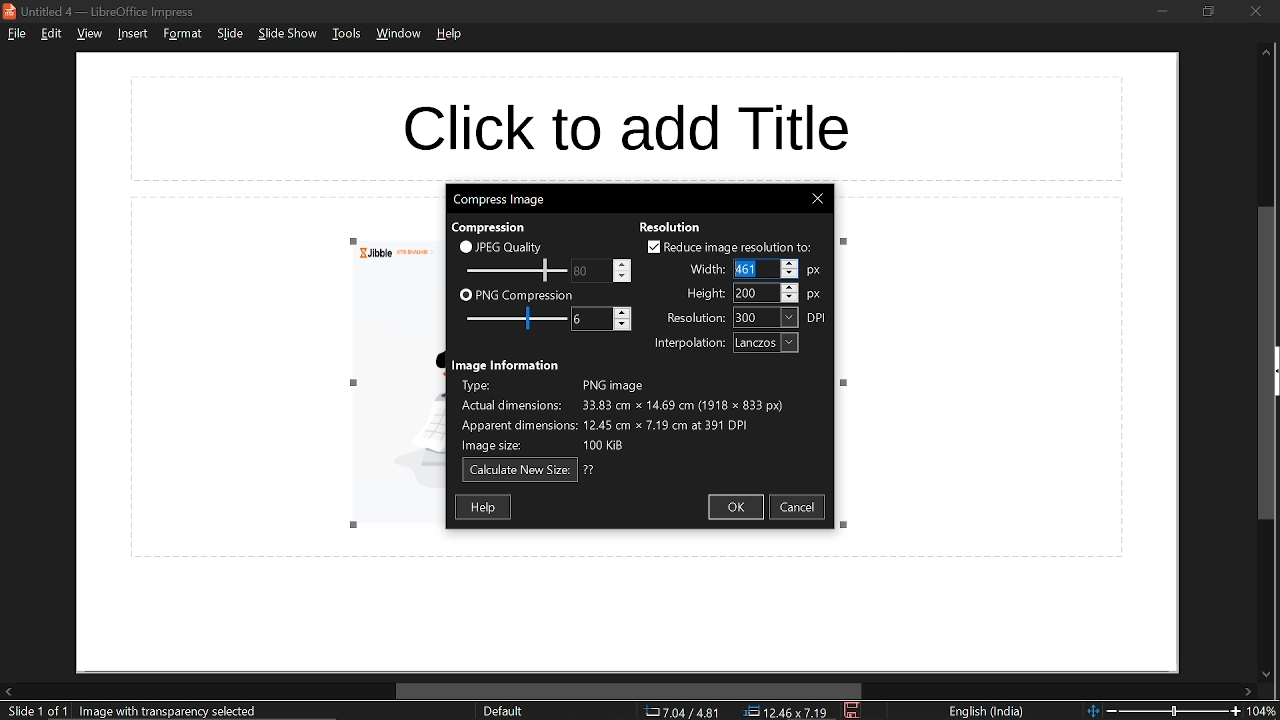  I want to click on help, so click(450, 38).